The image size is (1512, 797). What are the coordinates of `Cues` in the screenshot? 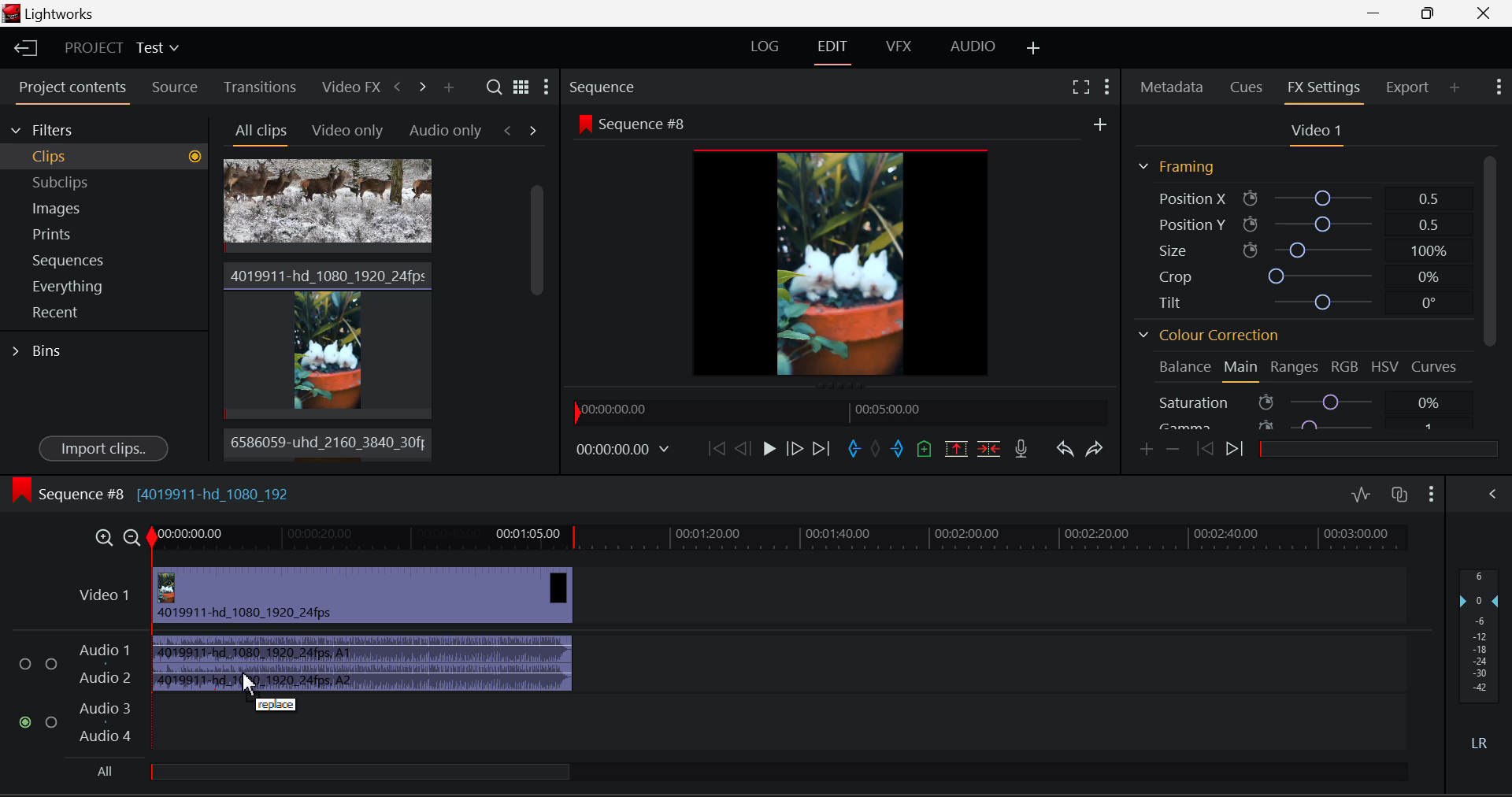 It's located at (1249, 85).